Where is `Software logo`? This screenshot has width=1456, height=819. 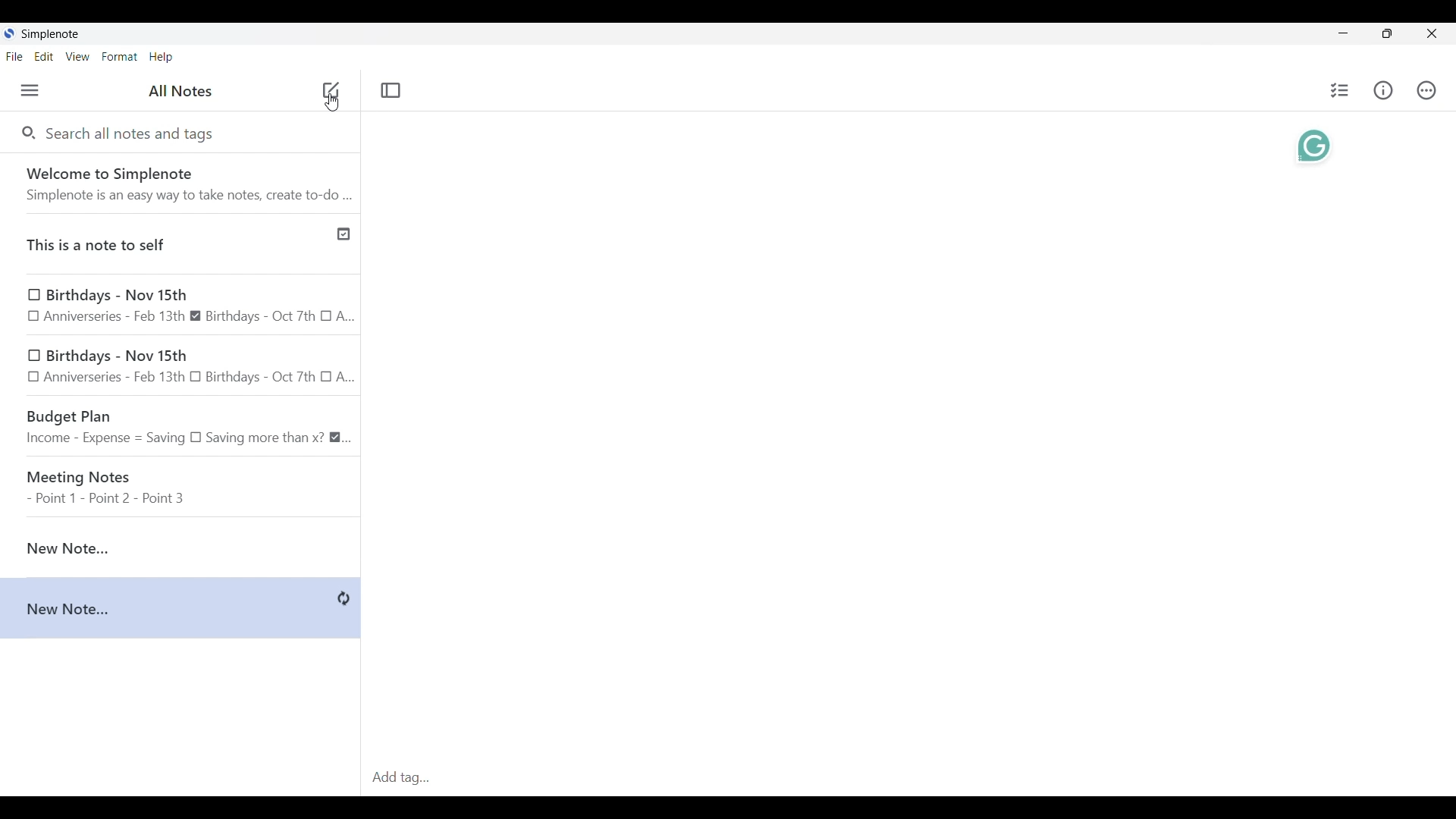
Software logo is located at coordinates (10, 33).